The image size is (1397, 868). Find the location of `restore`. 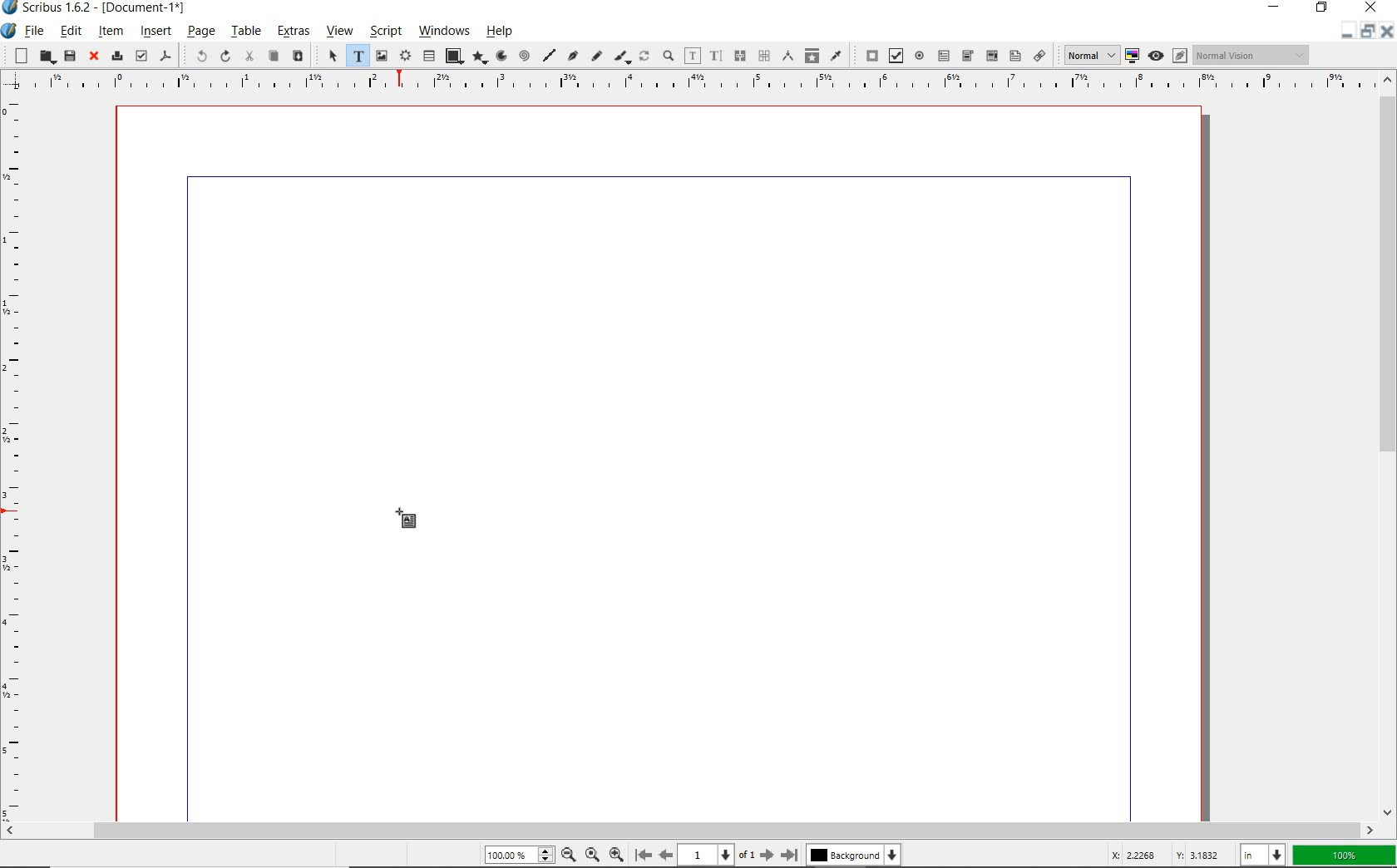

restore is located at coordinates (1324, 9).